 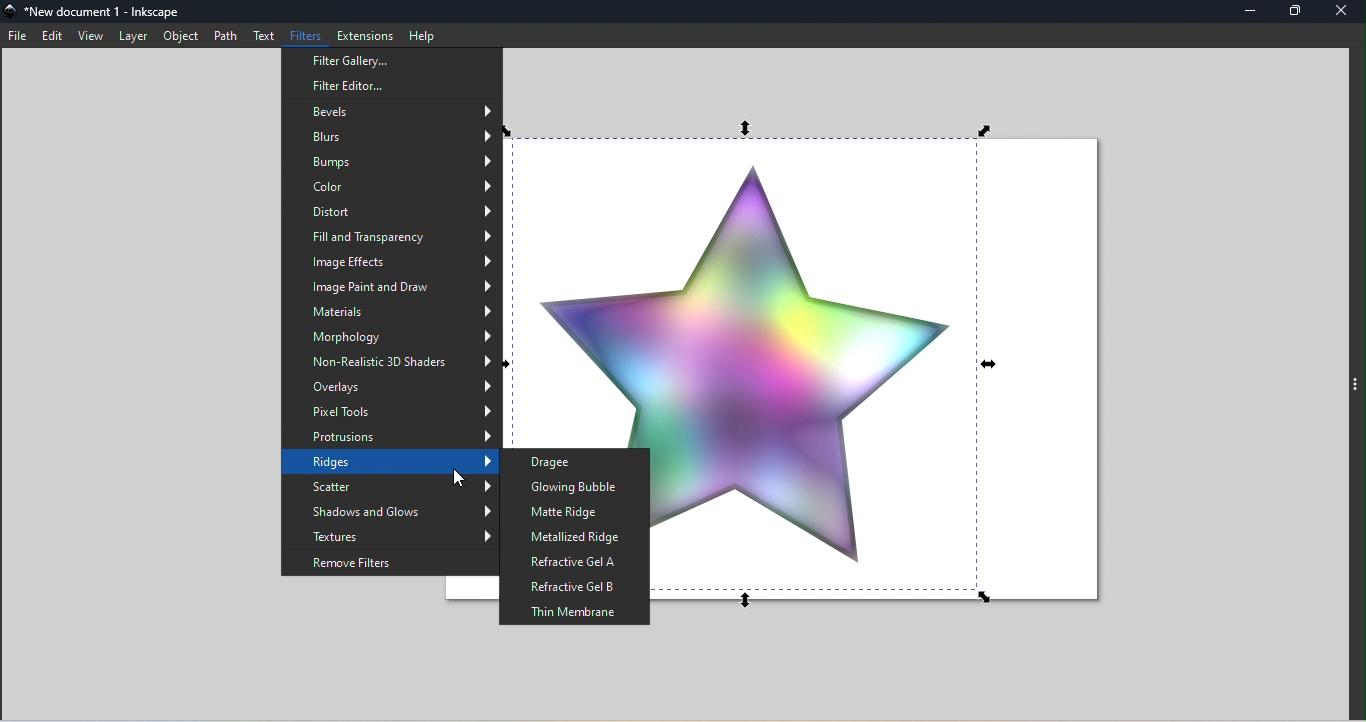 I want to click on Blurs, so click(x=392, y=136).